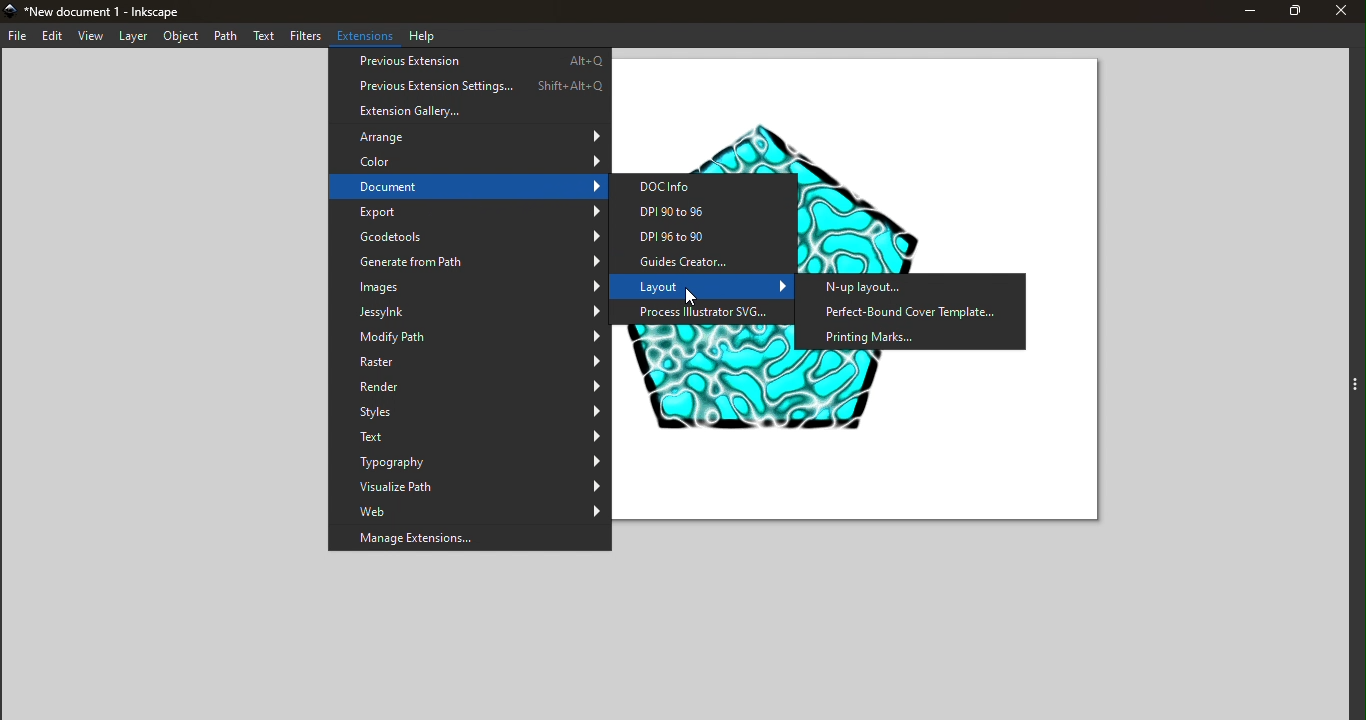  What do you see at coordinates (1240, 12) in the screenshot?
I see `Minimize` at bounding box center [1240, 12].